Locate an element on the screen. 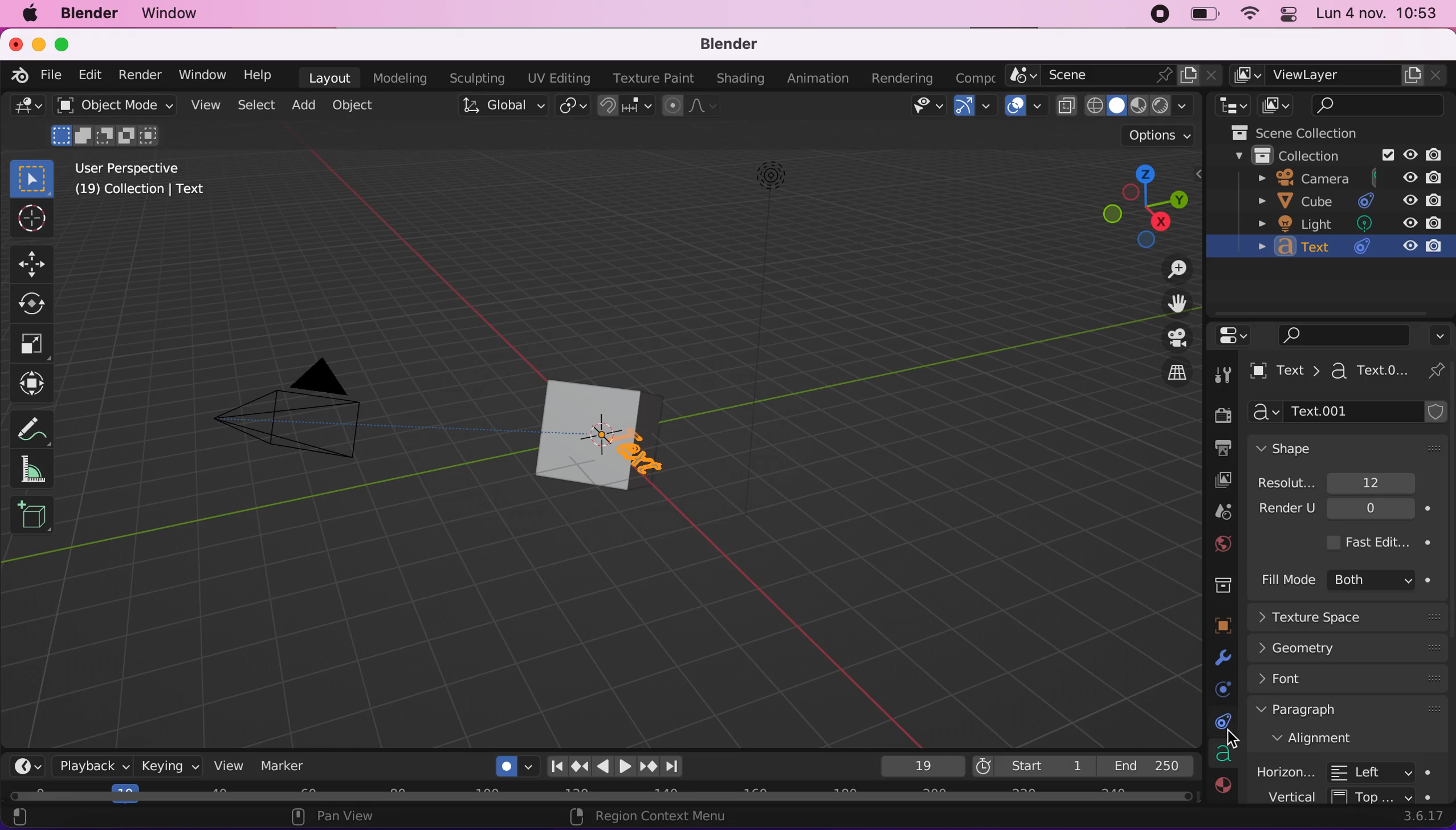  texture space is located at coordinates (1355, 618).